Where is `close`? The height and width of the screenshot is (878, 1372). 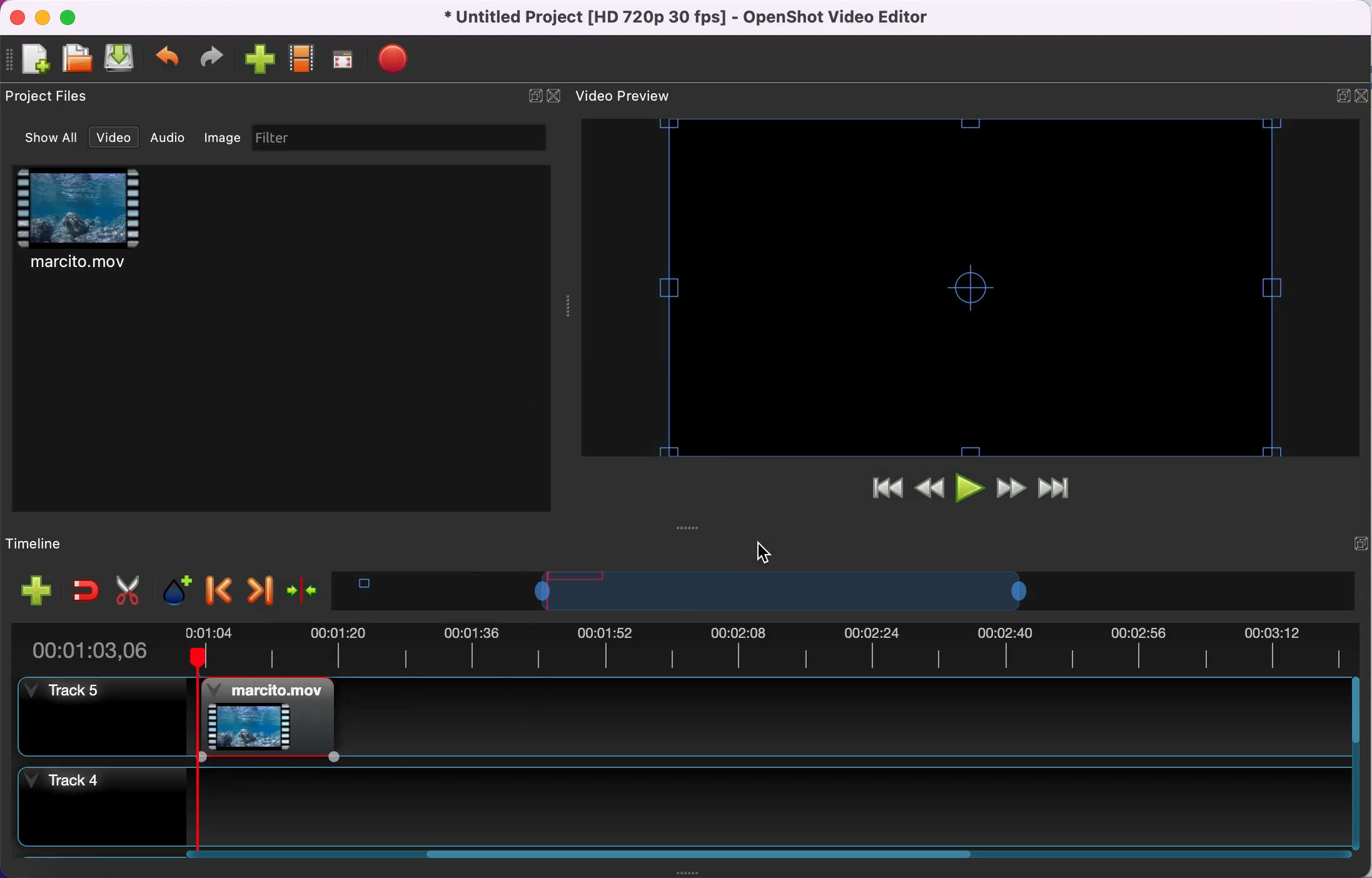 close is located at coordinates (19, 17).